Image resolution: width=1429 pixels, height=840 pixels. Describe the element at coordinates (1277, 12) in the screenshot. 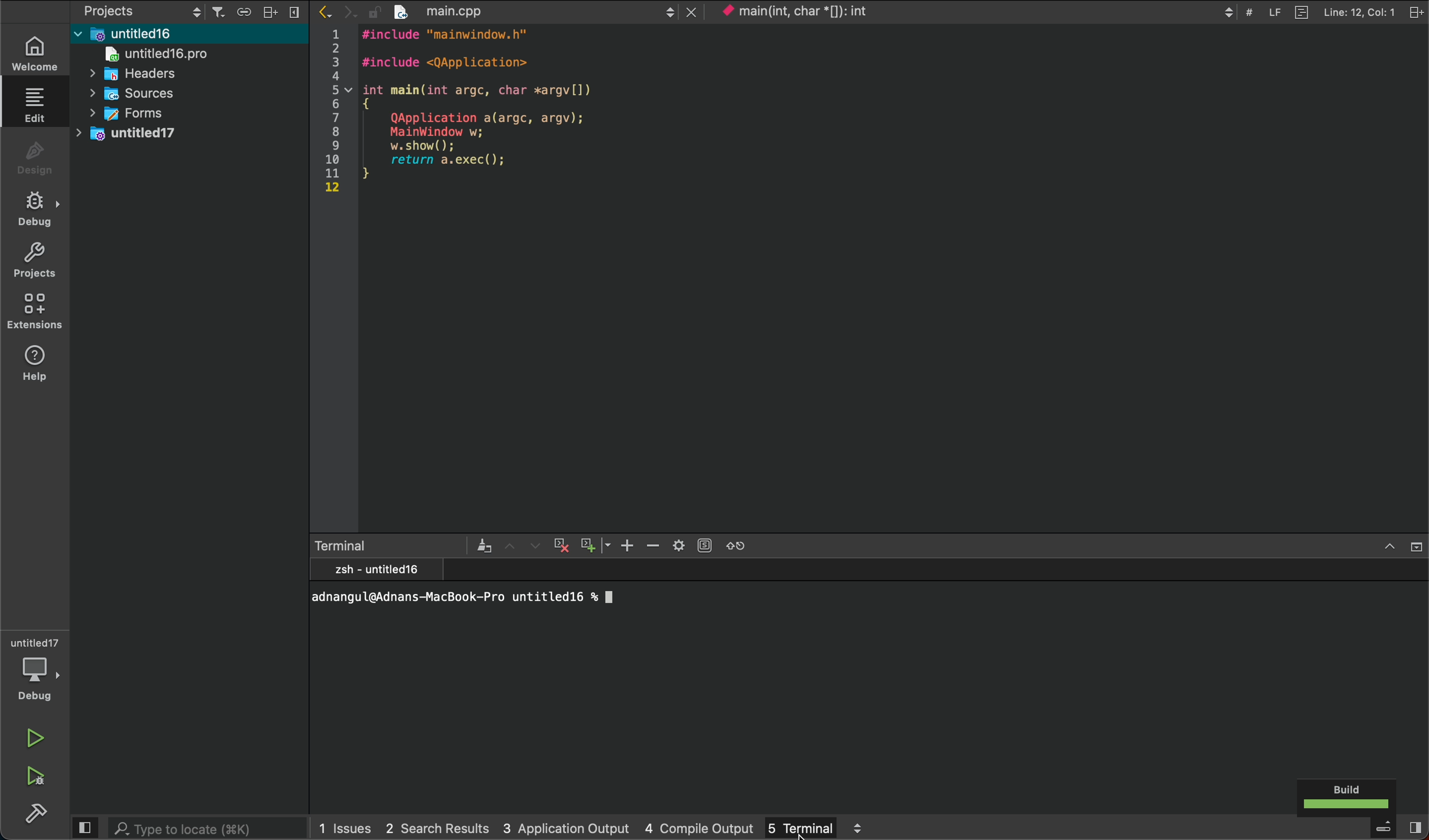

I see `LF` at that location.